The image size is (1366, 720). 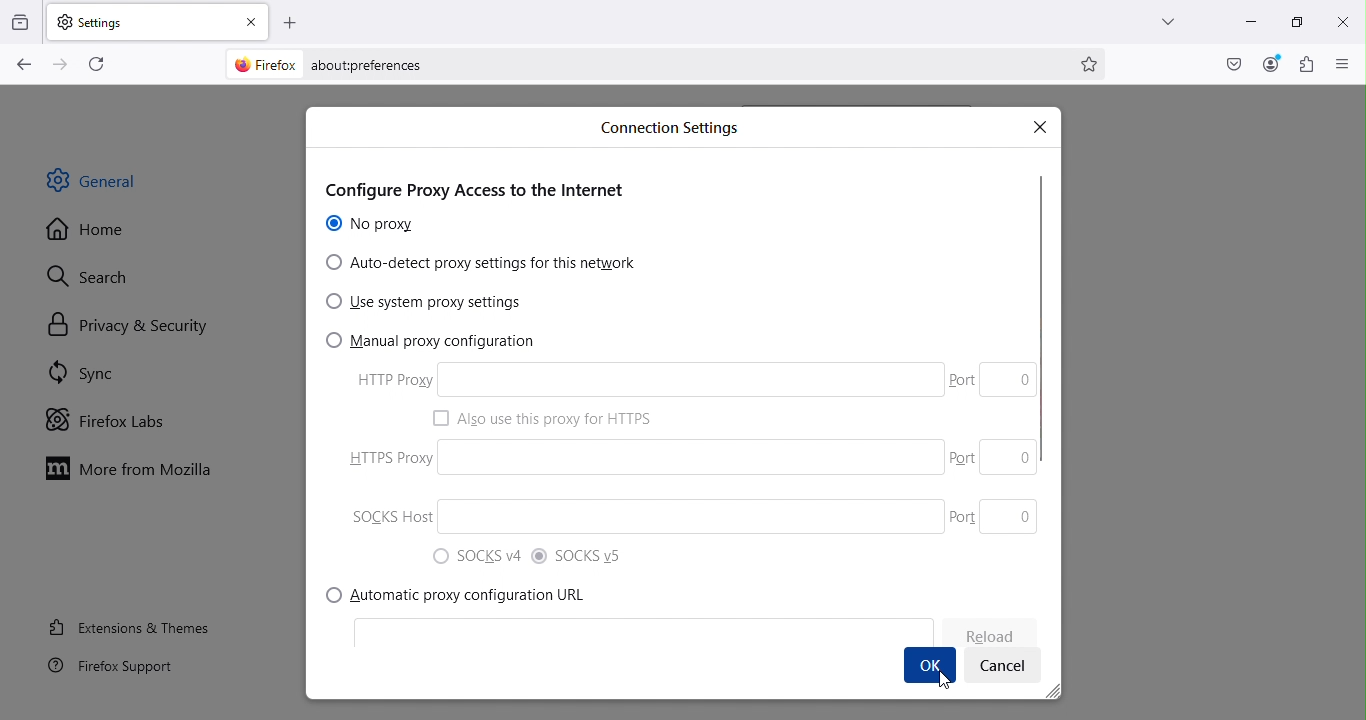 What do you see at coordinates (1093, 66) in the screenshot?
I see `Bookmark this page` at bounding box center [1093, 66].